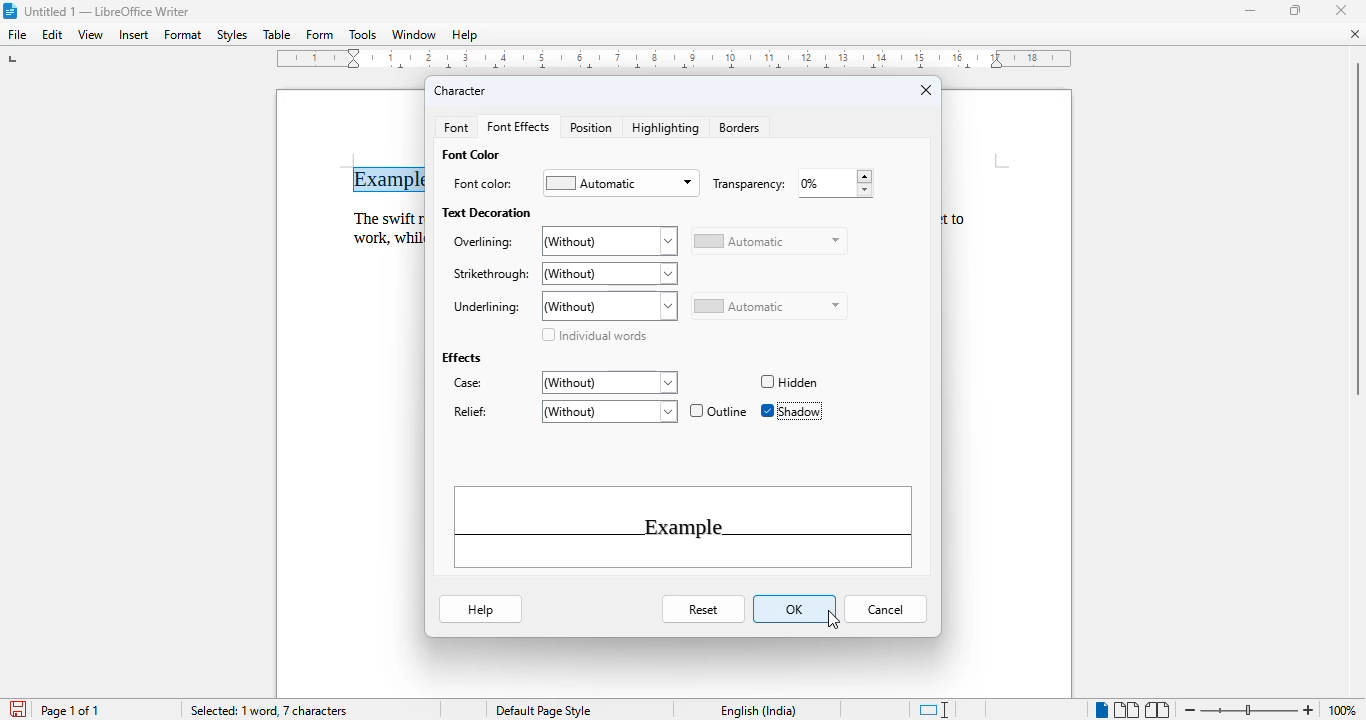 The width and height of the screenshot is (1366, 720). I want to click on multi-page view, so click(1126, 710).